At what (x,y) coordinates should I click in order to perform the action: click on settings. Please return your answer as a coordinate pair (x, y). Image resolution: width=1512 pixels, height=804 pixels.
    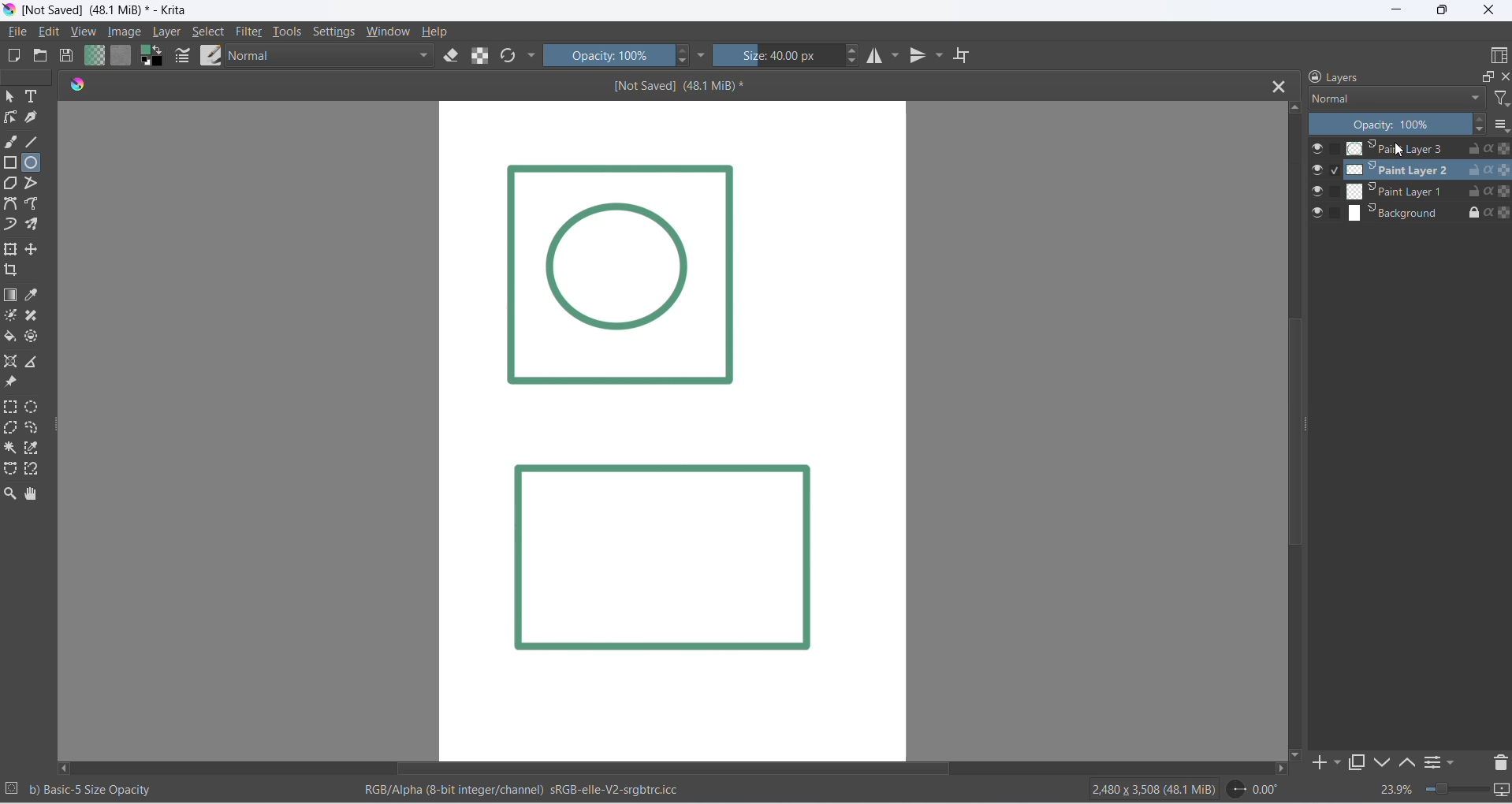
    Looking at the image, I should click on (336, 33).